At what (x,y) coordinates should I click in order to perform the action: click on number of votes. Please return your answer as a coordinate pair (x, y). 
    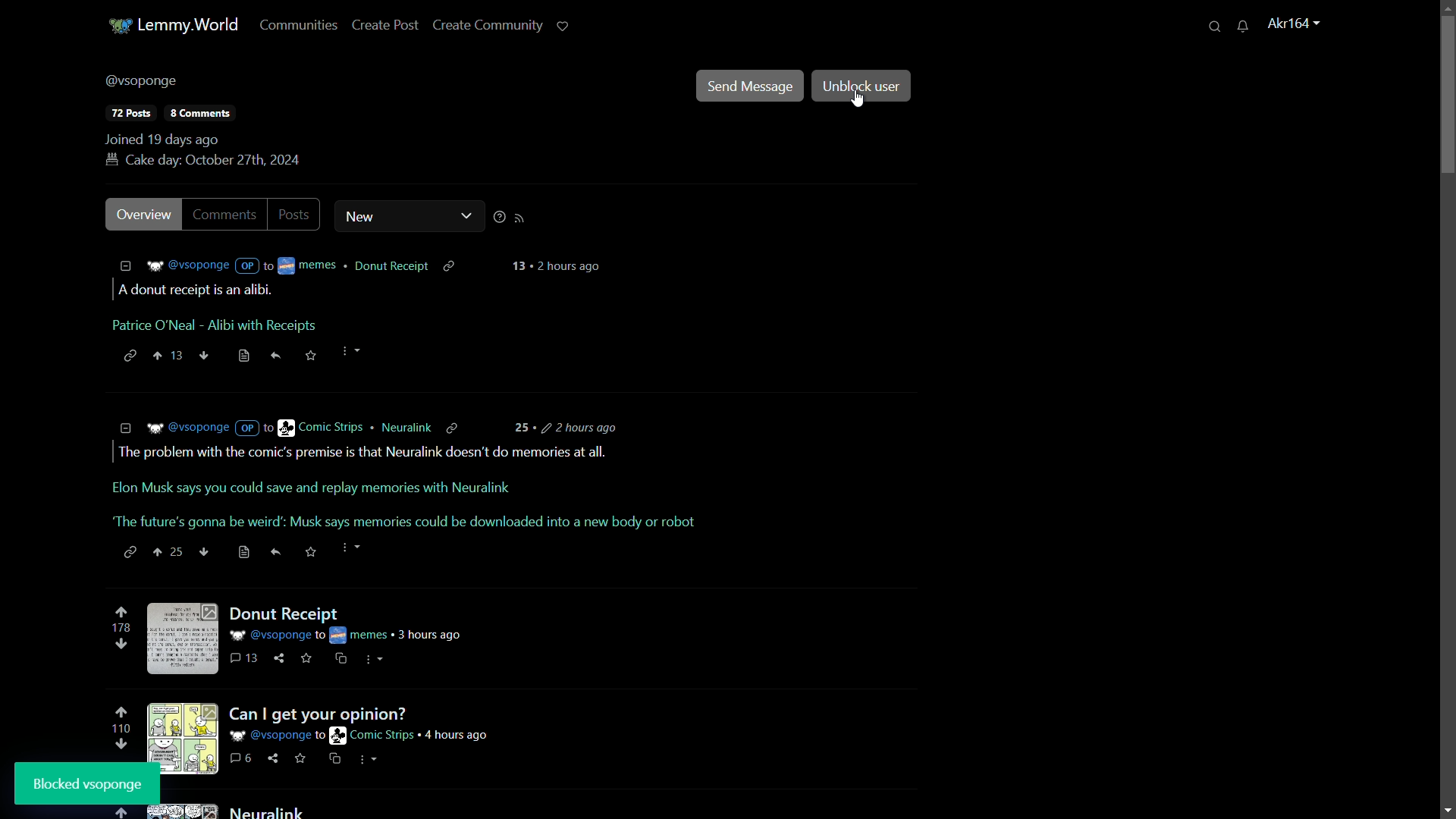
    Looking at the image, I should click on (121, 730).